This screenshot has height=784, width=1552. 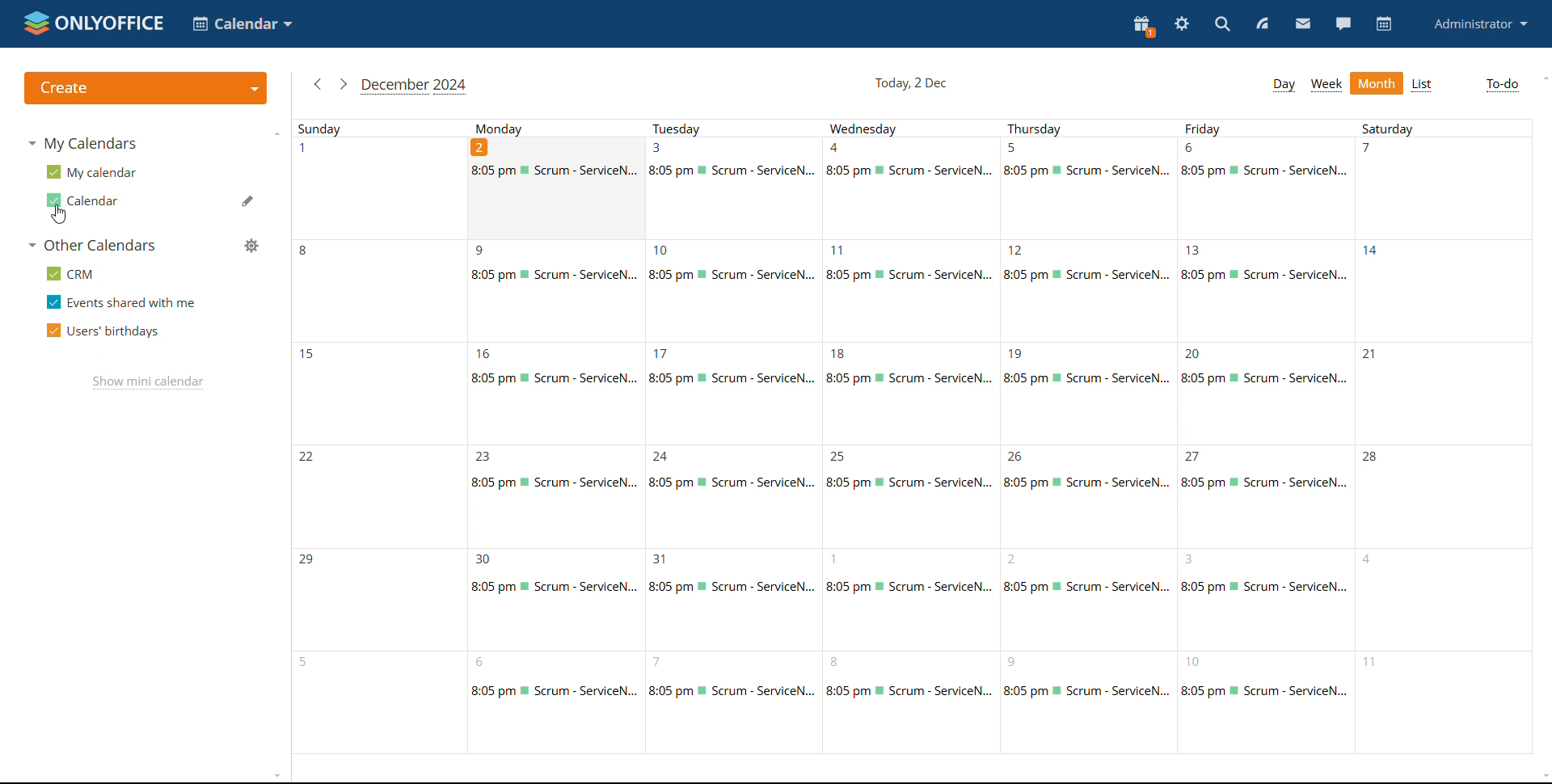 What do you see at coordinates (1444, 497) in the screenshot?
I see `28` at bounding box center [1444, 497].